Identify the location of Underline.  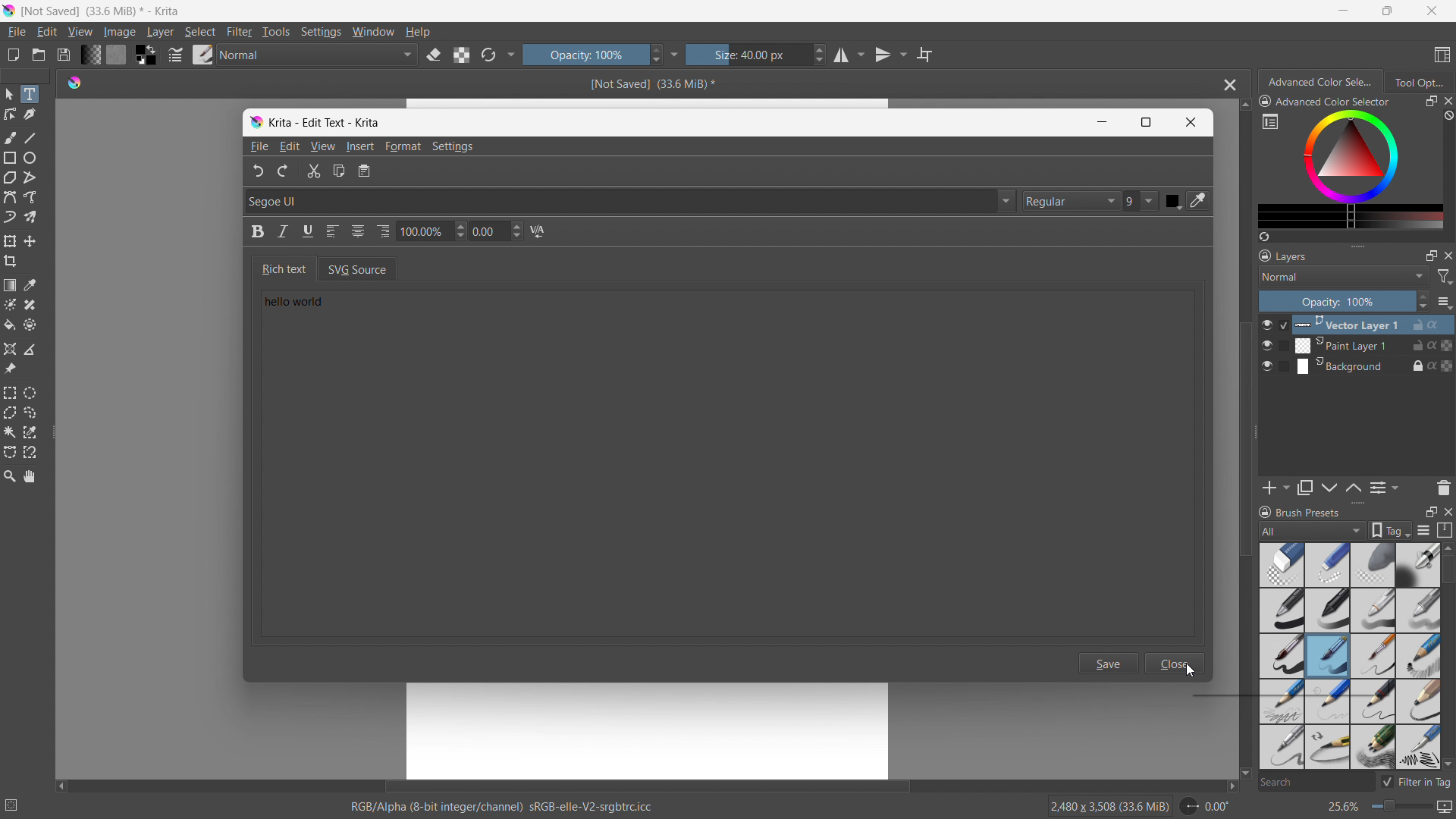
(309, 232).